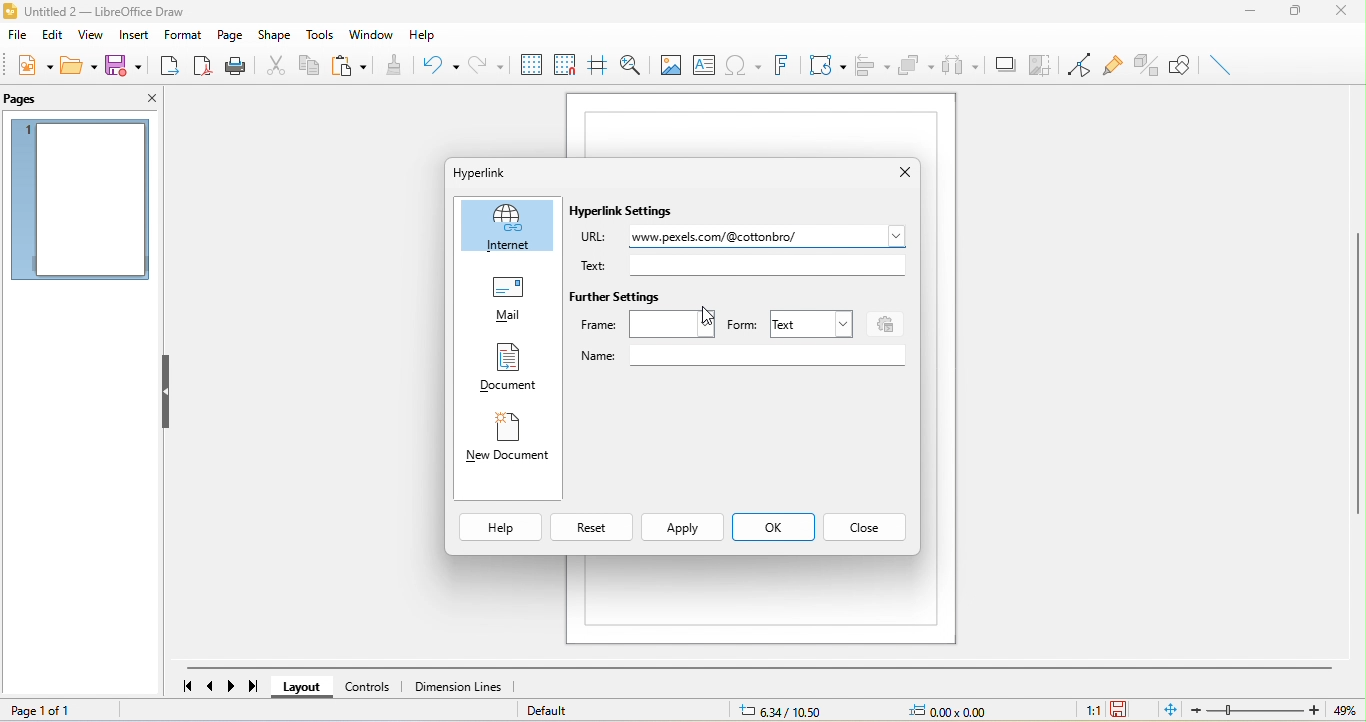  What do you see at coordinates (460, 688) in the screenshot?
I see `dimension line` at bounding box center [460, 688].